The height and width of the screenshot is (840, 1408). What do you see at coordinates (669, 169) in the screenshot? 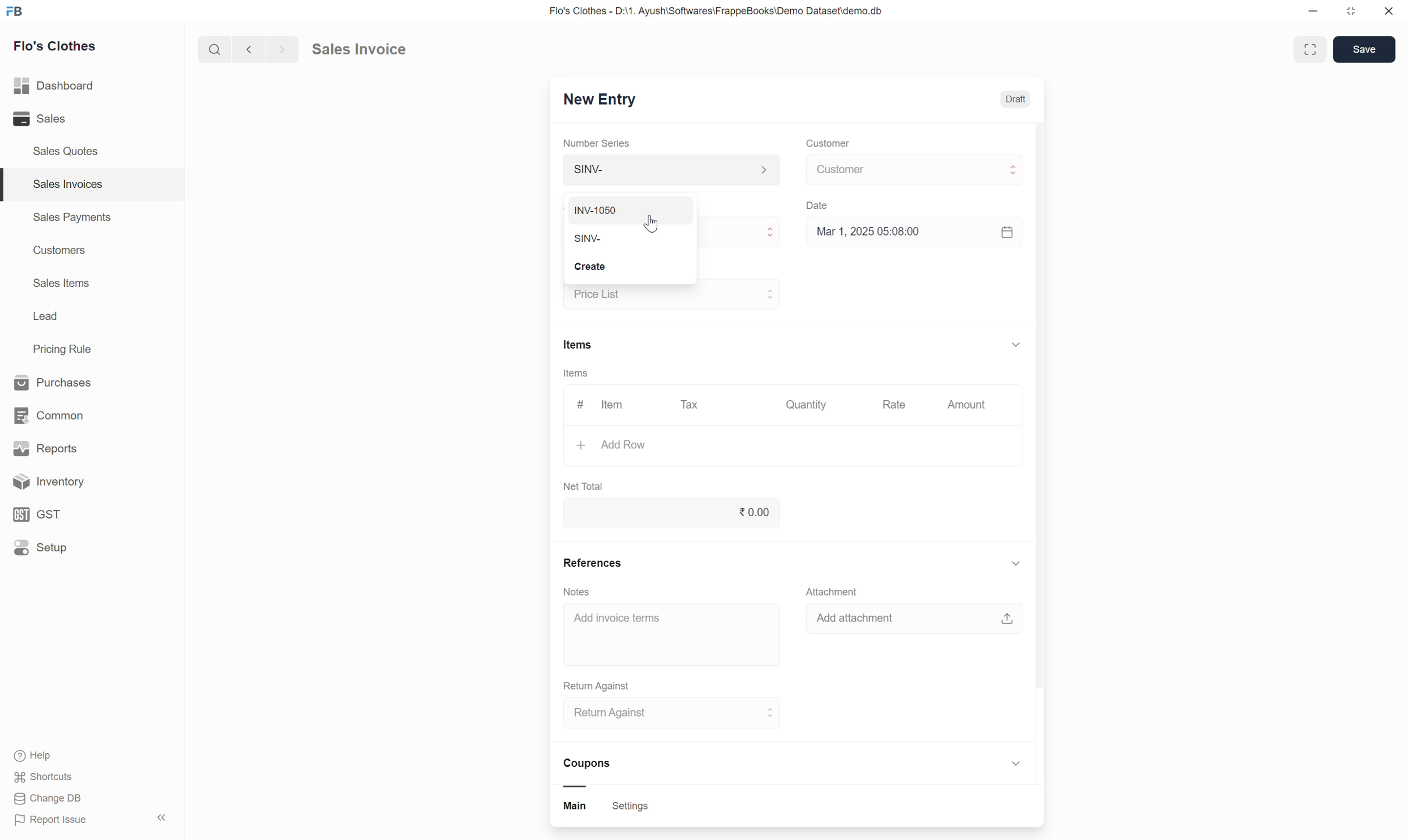
I see `Select Number series` at bounding box center [669, 169].